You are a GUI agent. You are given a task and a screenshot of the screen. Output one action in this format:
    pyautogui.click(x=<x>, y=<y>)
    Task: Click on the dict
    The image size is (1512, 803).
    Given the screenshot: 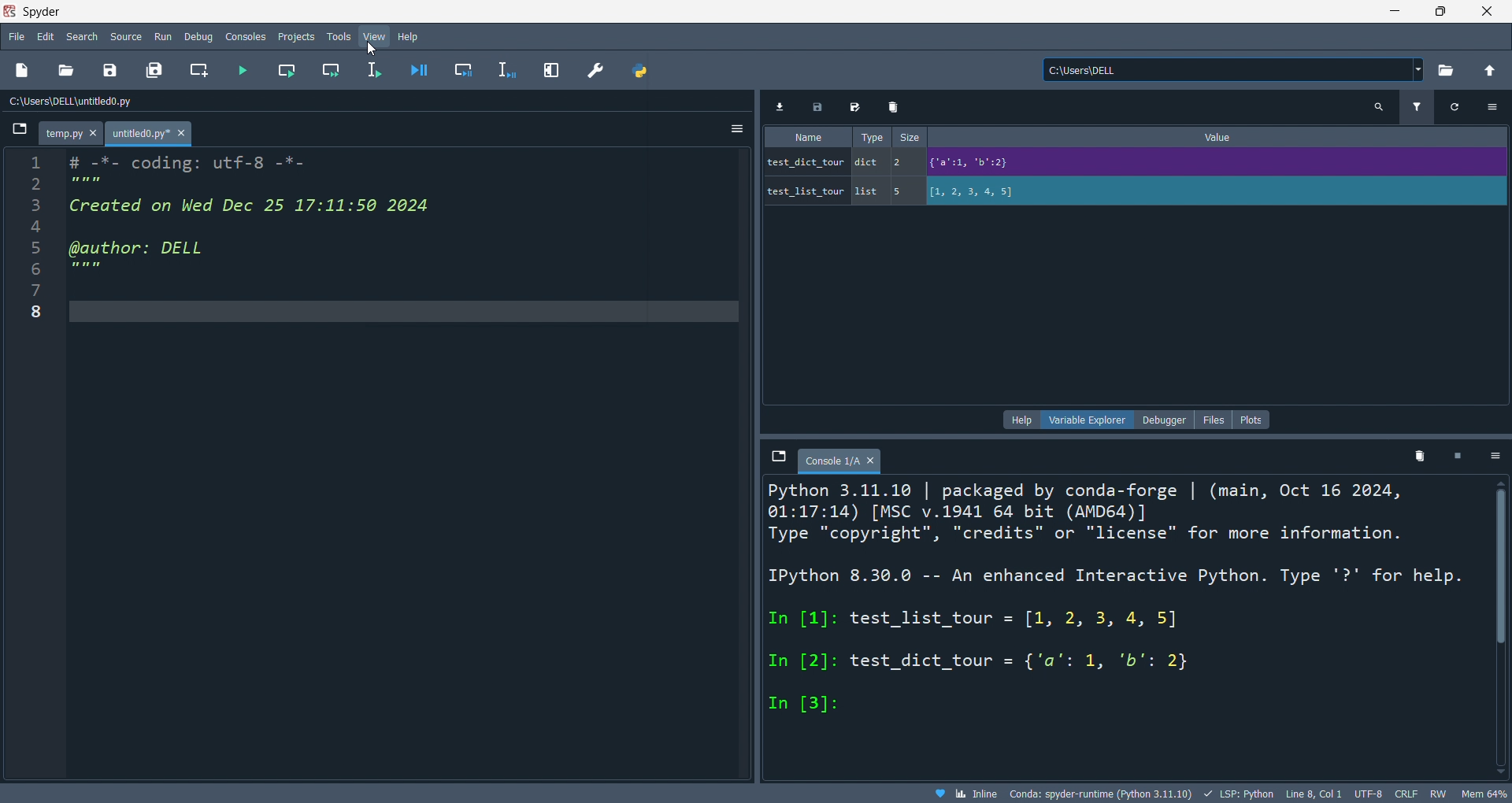 What is the action you would take?
    pyautogui.click(x=870, y=165)
    